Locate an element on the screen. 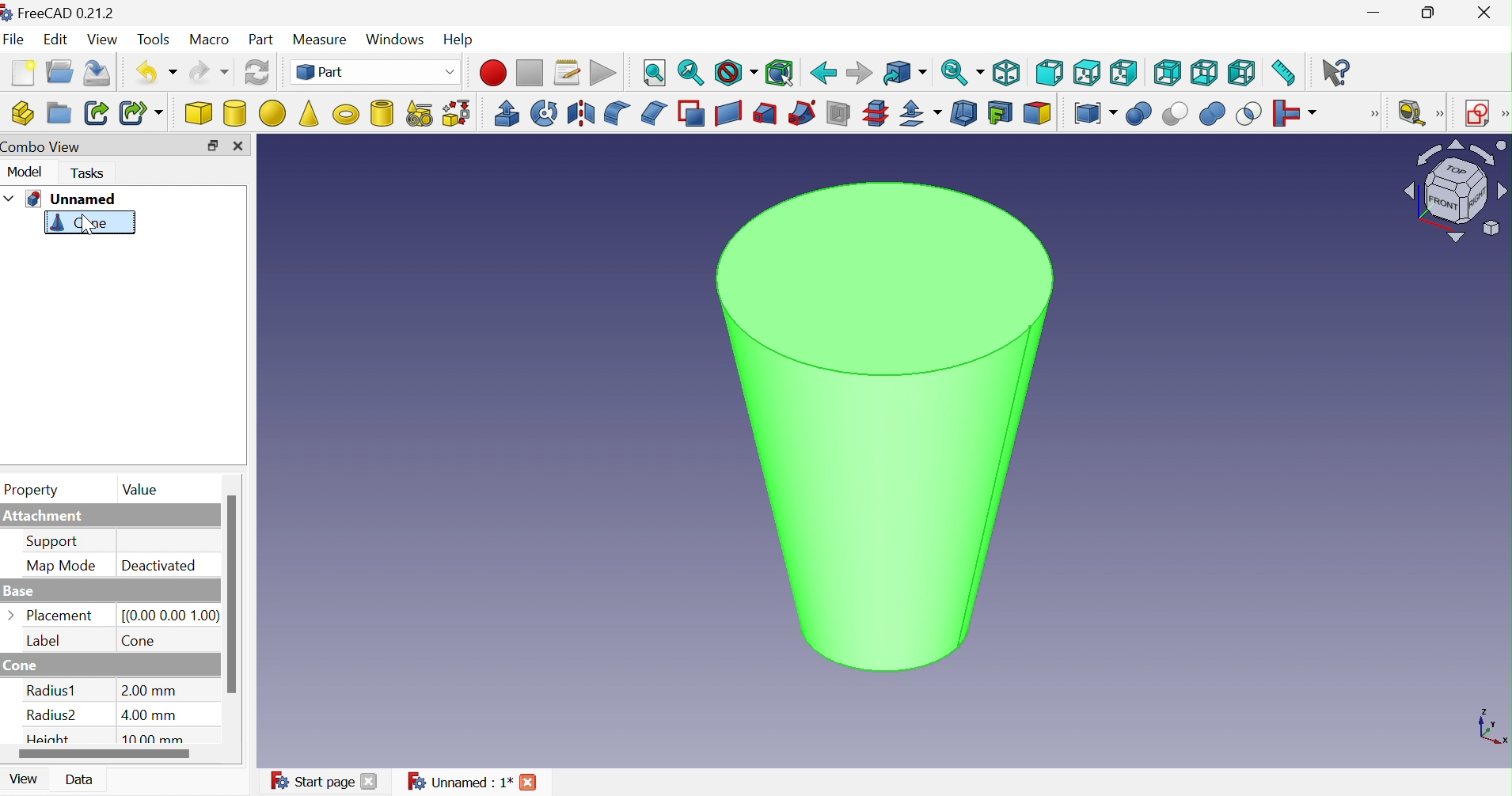 The image size is (1512, 796). Cone (Selected to hide) is located at coordinates (883, 430).